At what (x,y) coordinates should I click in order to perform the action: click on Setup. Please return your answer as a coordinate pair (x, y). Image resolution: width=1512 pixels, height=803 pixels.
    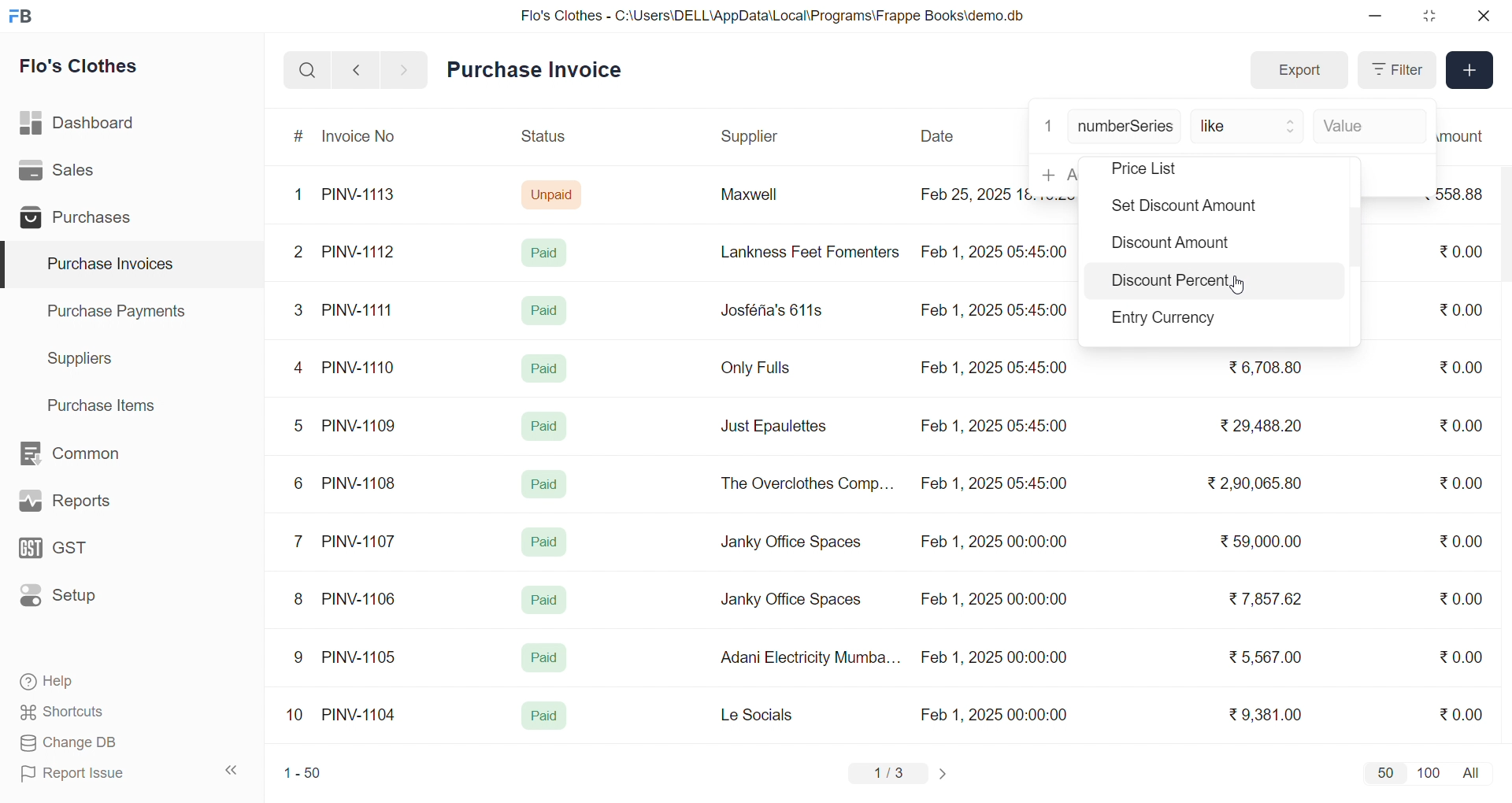
    Looking at the image, I should click on (82, 601).